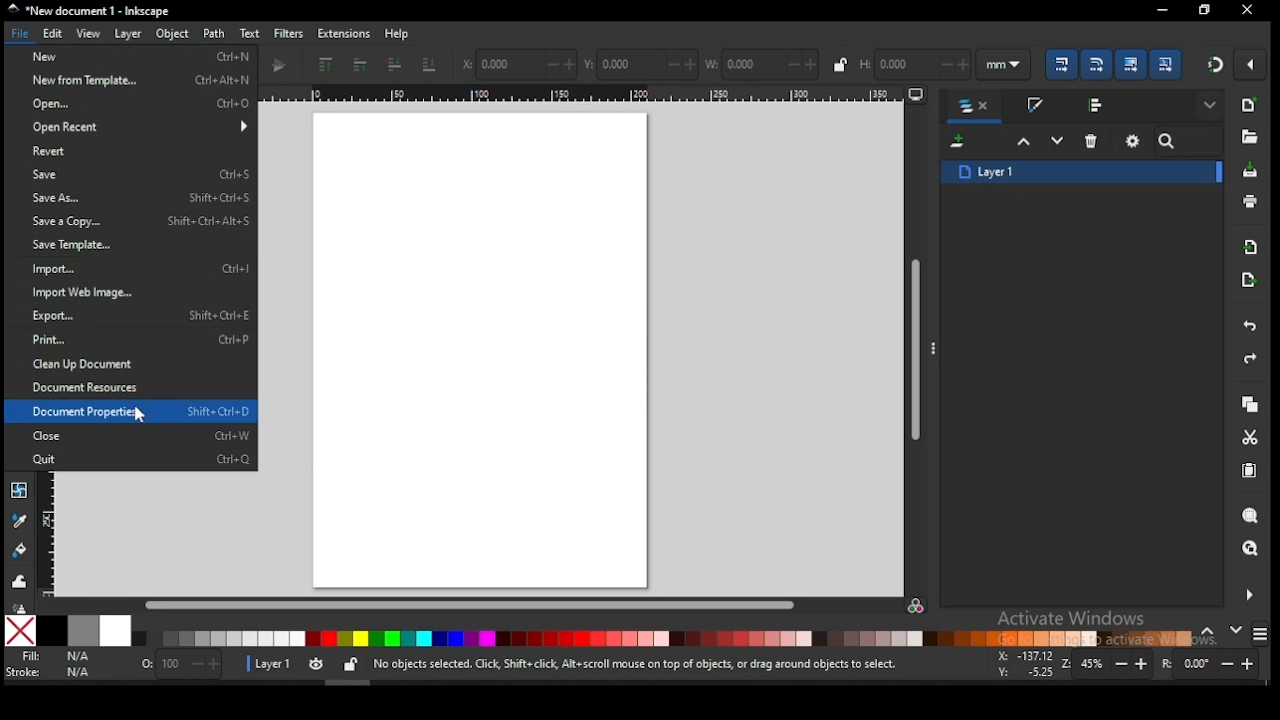  I want to click on height of selection, so click(913, 62).